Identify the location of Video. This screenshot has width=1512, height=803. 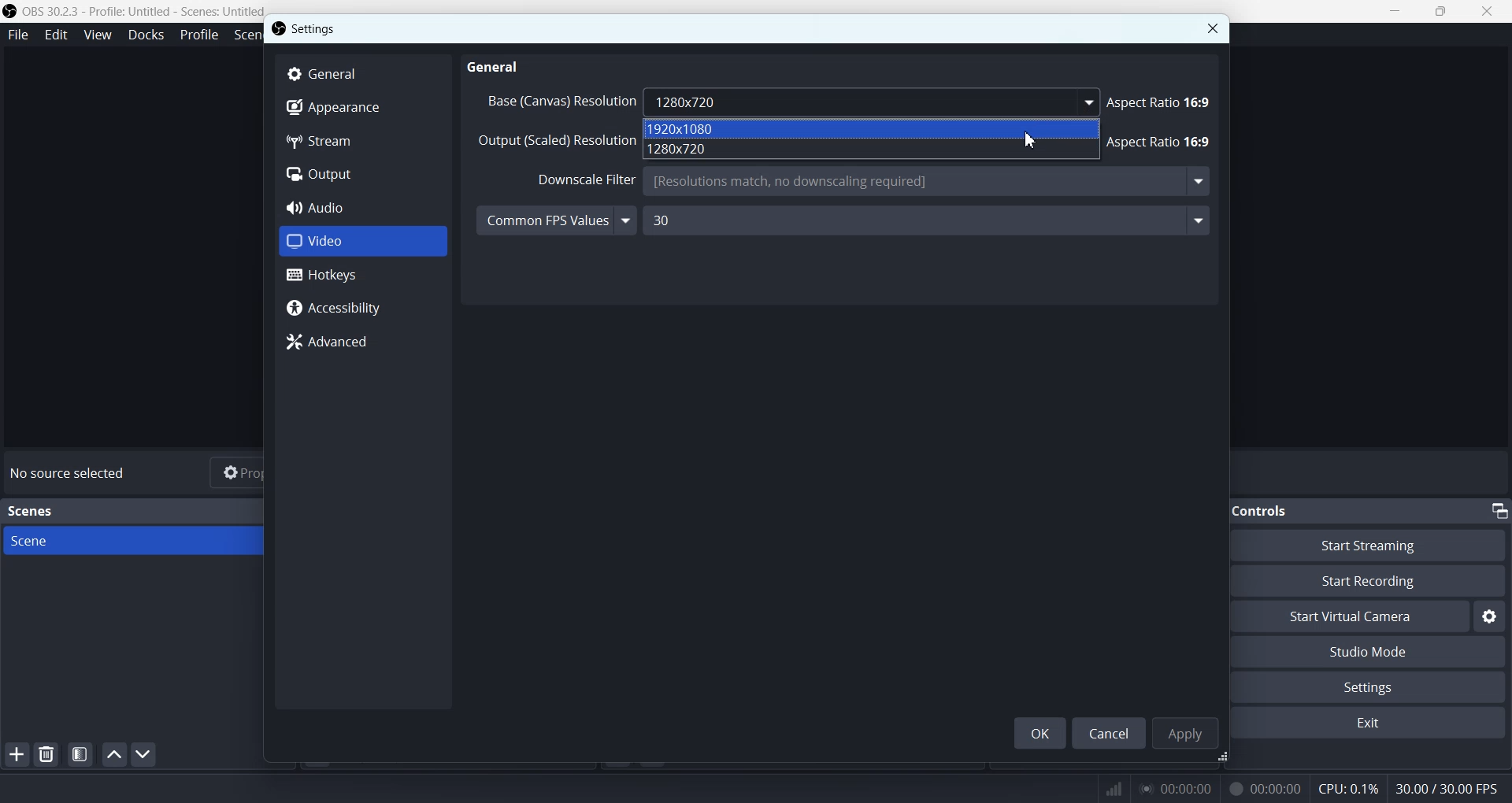
(362, 241).